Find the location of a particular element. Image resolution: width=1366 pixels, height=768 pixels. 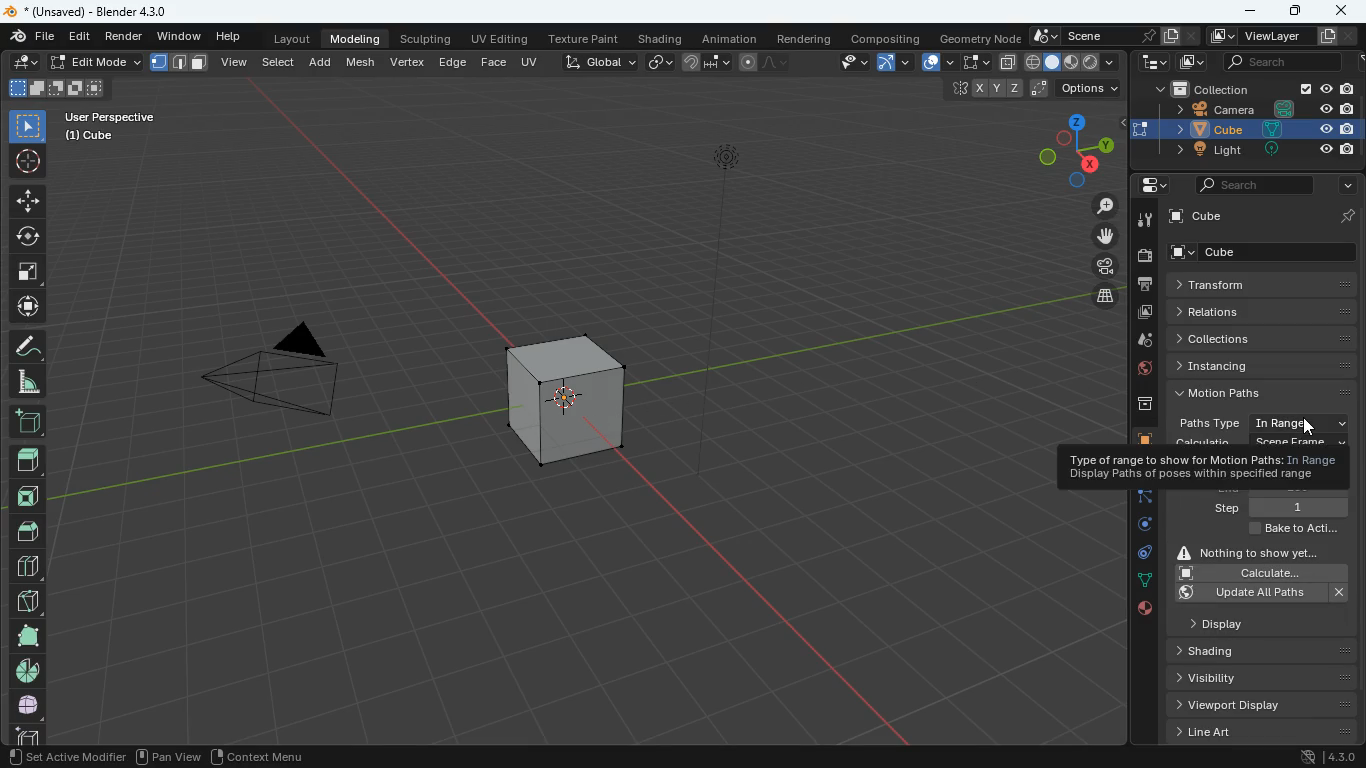

fullscreen is located at coordinates (974, 61).